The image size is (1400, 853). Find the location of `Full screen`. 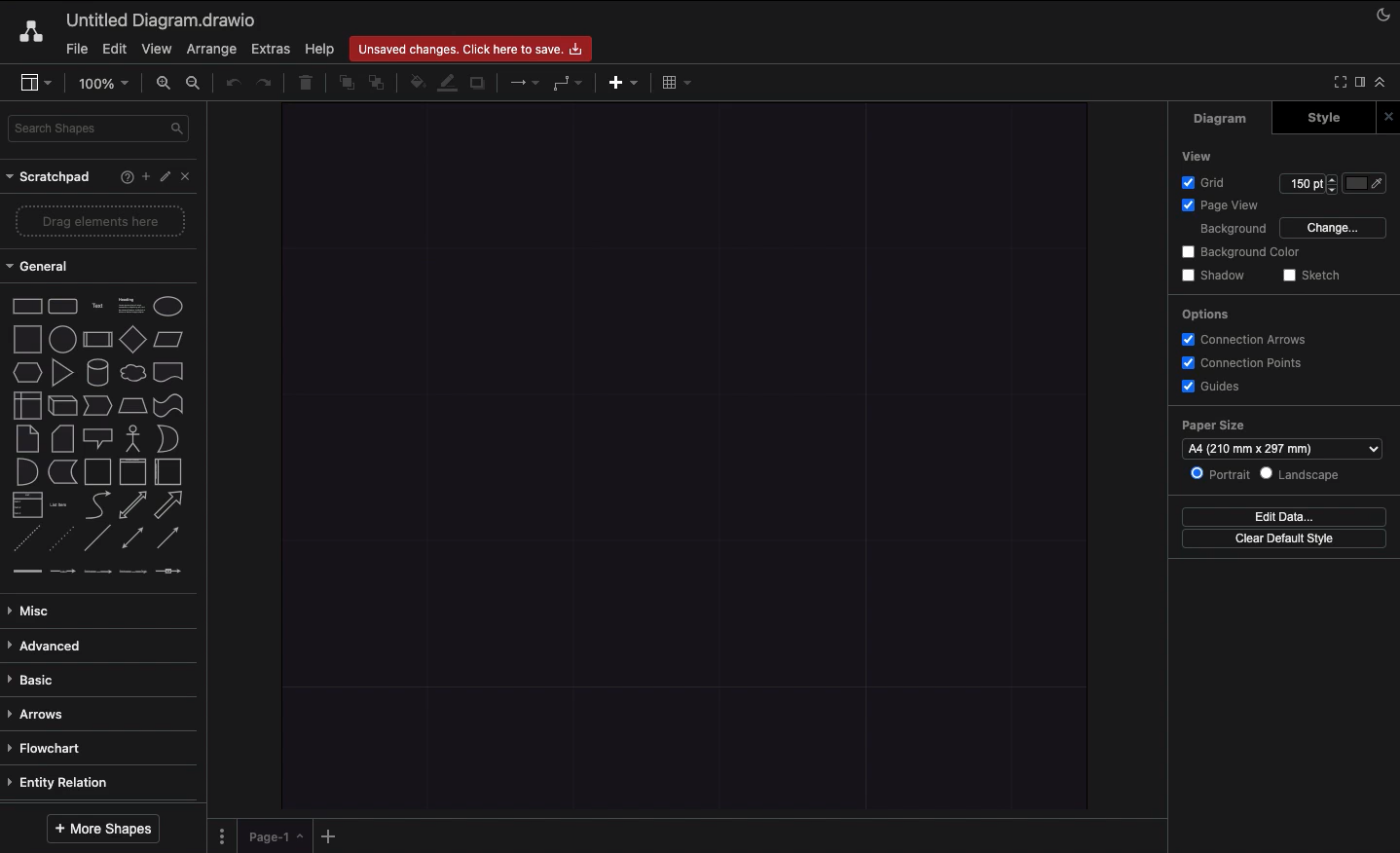

Full screen is located at coordinates (1339, 81).